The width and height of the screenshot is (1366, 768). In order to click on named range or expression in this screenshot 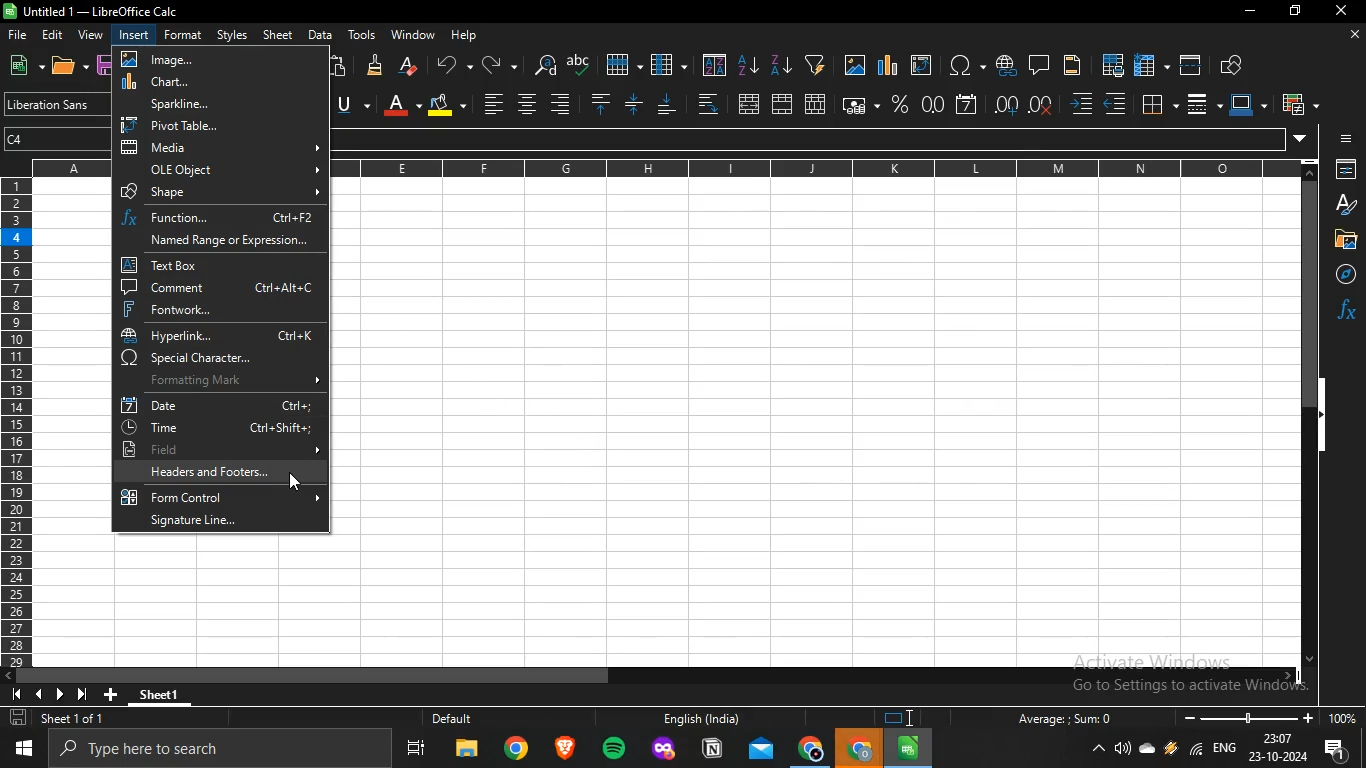, I will do `click(221, 239)`.